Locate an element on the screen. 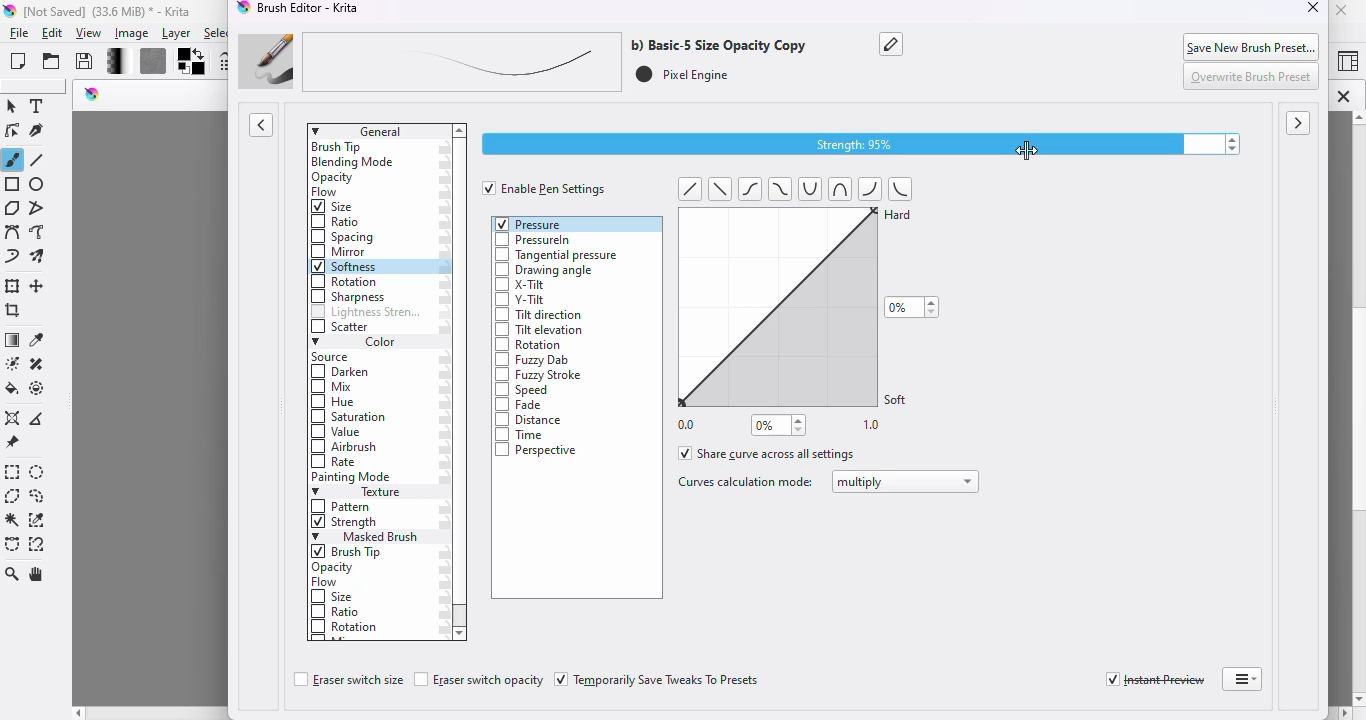  logo is located at coordinates (10, 12).